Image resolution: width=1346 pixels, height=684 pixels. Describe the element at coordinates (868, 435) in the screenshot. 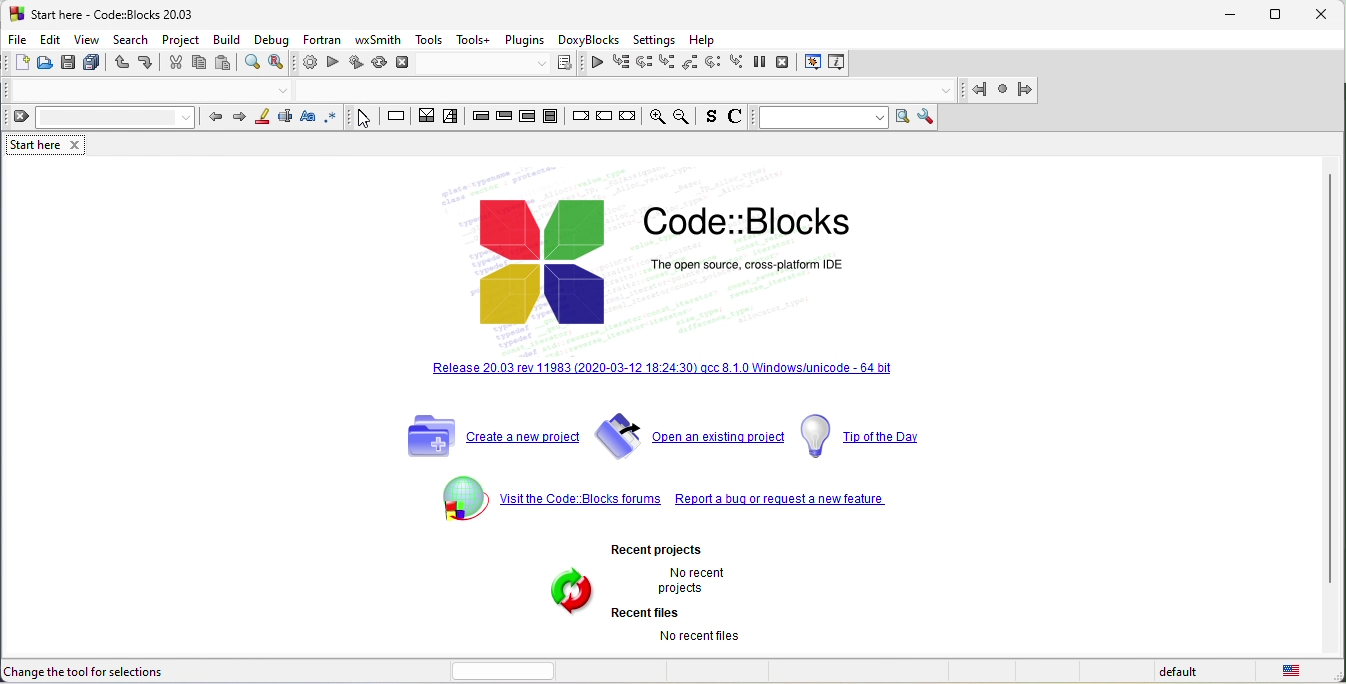

I see `top of the day` at that location.